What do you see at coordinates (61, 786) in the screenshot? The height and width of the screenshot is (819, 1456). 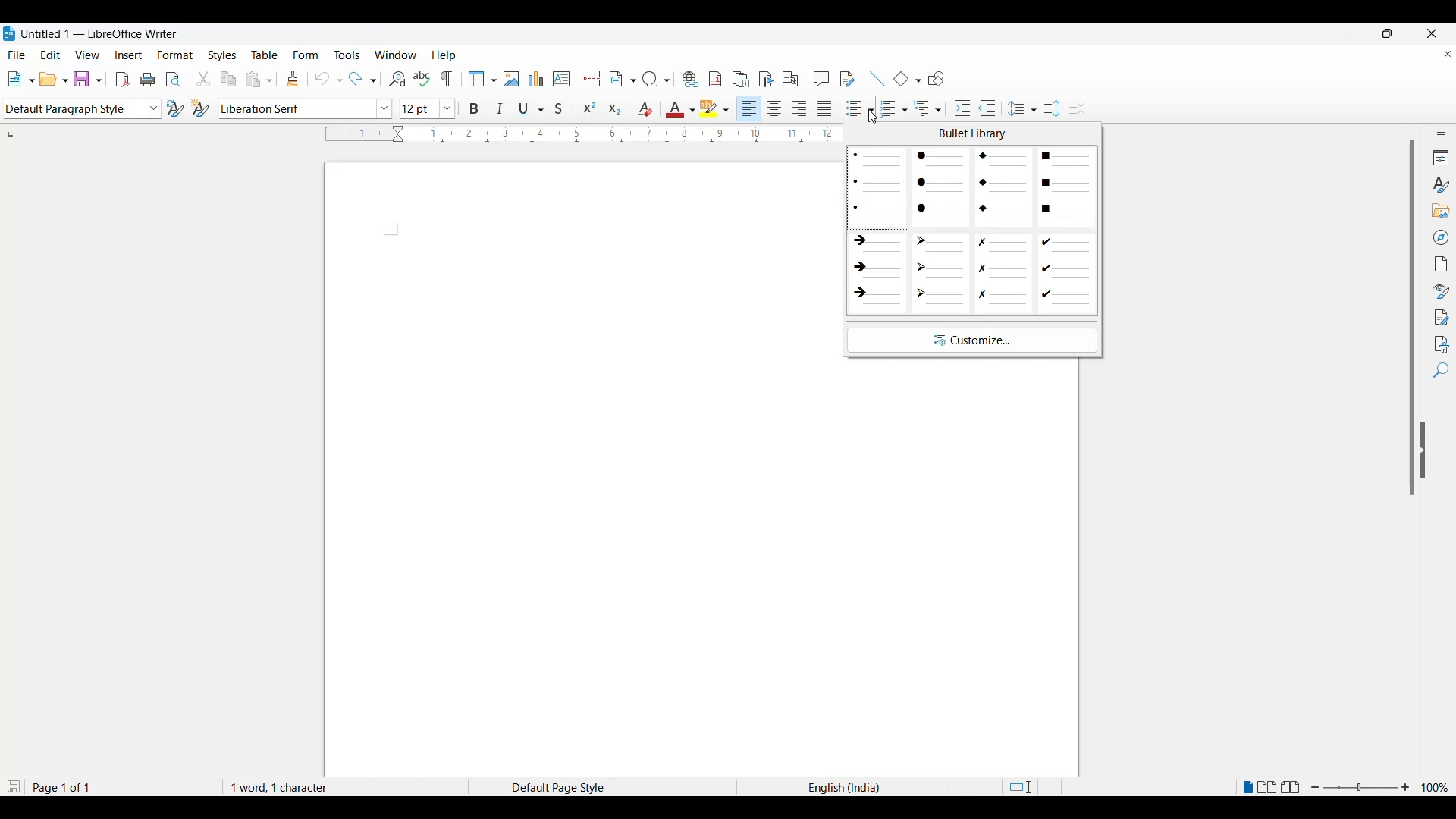 I see `Page 1 of 1` at bounding box center [61, 786].